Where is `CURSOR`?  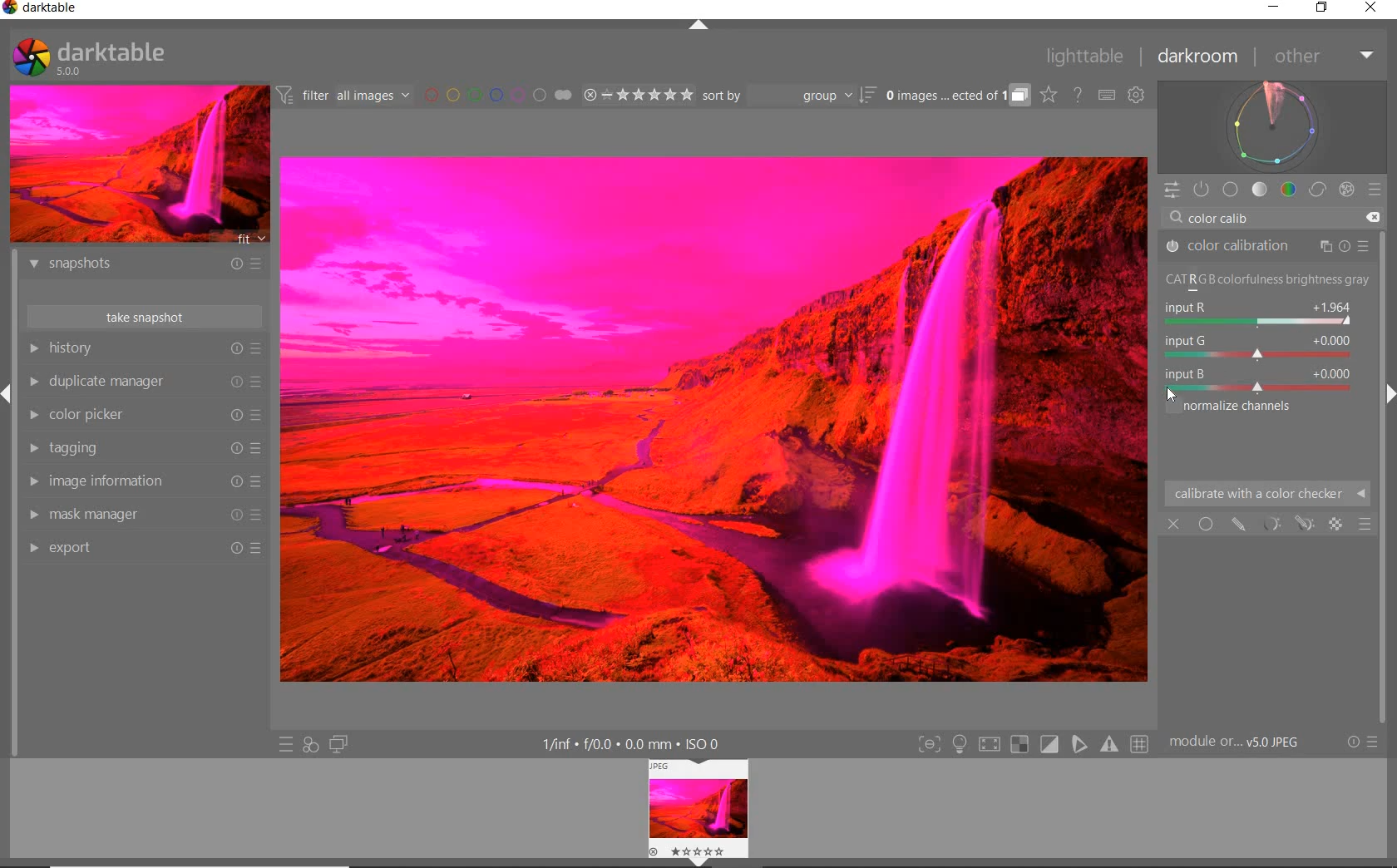 CURSOR is located at coordinates (1171, 396).